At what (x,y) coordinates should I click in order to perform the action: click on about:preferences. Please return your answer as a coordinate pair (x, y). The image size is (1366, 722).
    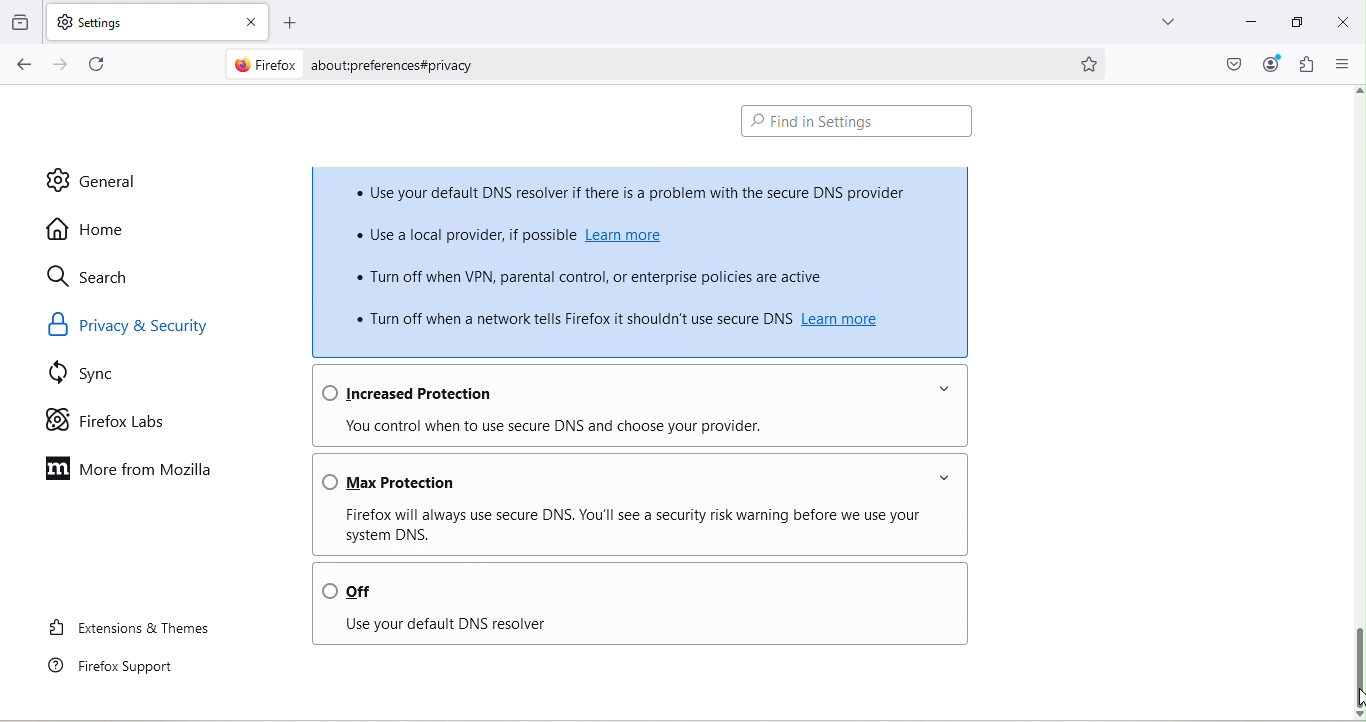
    Looking at the image, I should click on (682, 62).